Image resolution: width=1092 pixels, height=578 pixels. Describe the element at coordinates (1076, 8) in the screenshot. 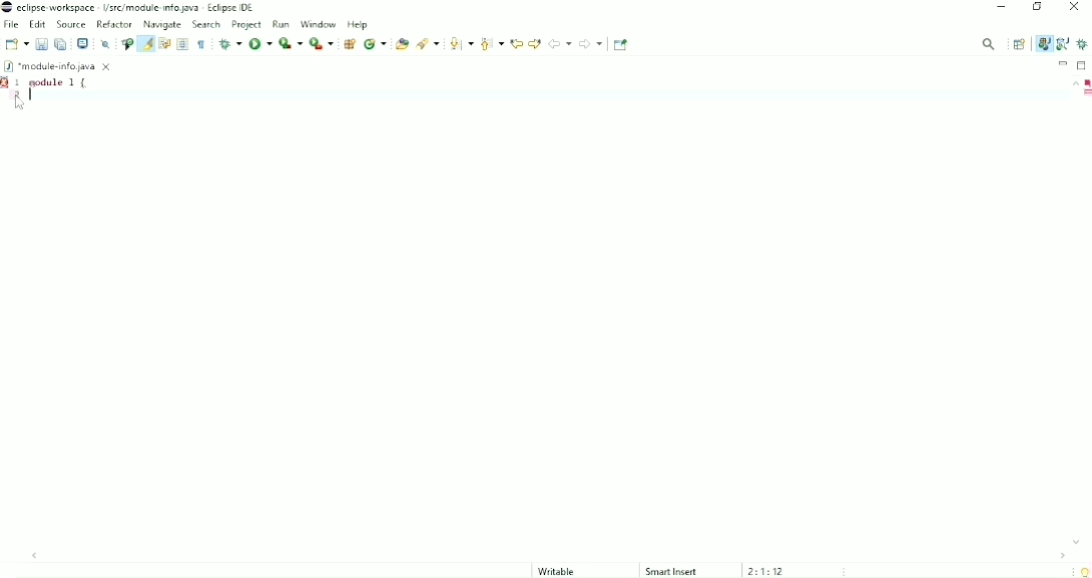

I see `Close` at that location.